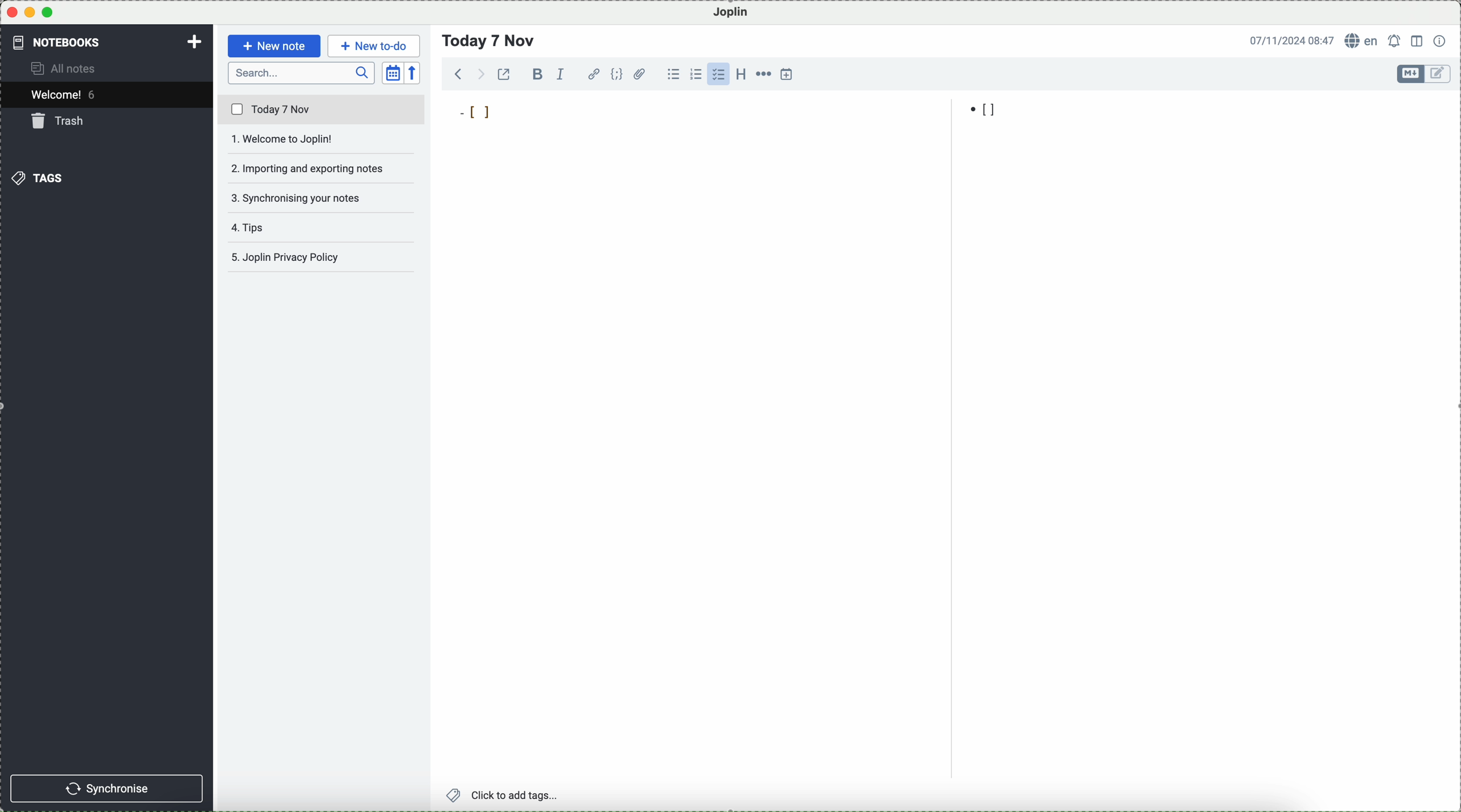  What do you see at coordinates (195, 43) in the screenshot?
I see `add new notebook` at bounding box center [195, 43].